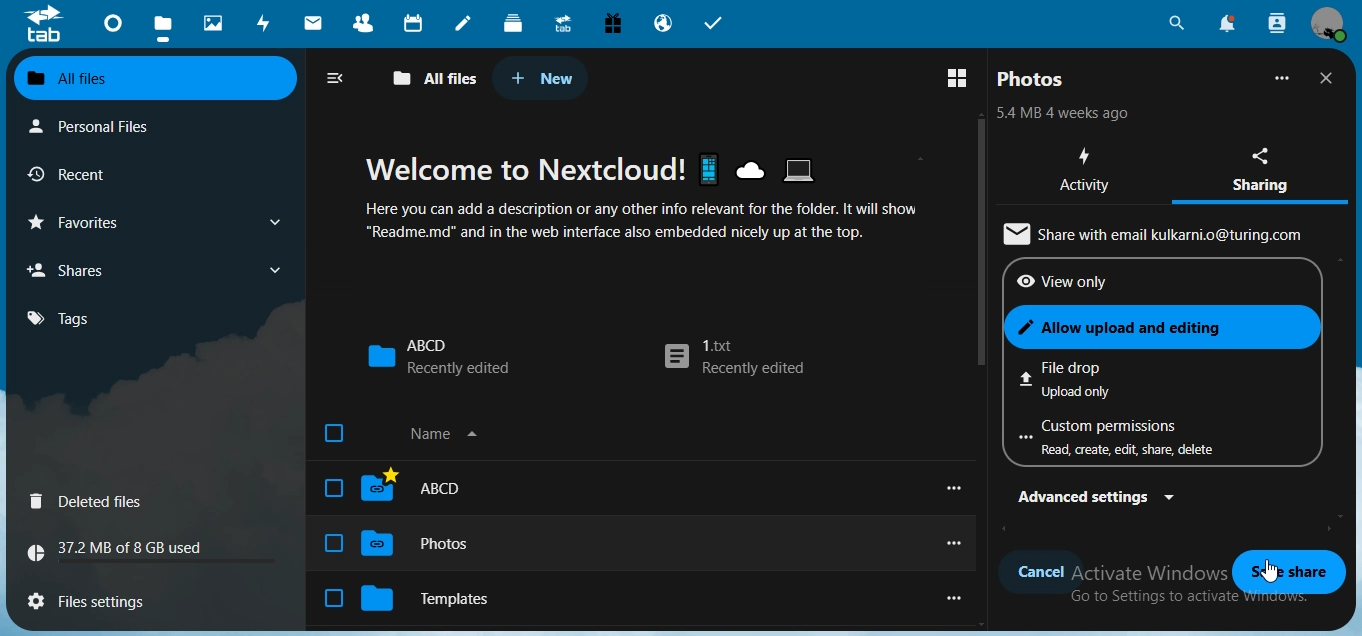 The image size is (1362, 636). Describe the element at coordinates (1041, 574) in the screenshot. I see `cancel` at that location.